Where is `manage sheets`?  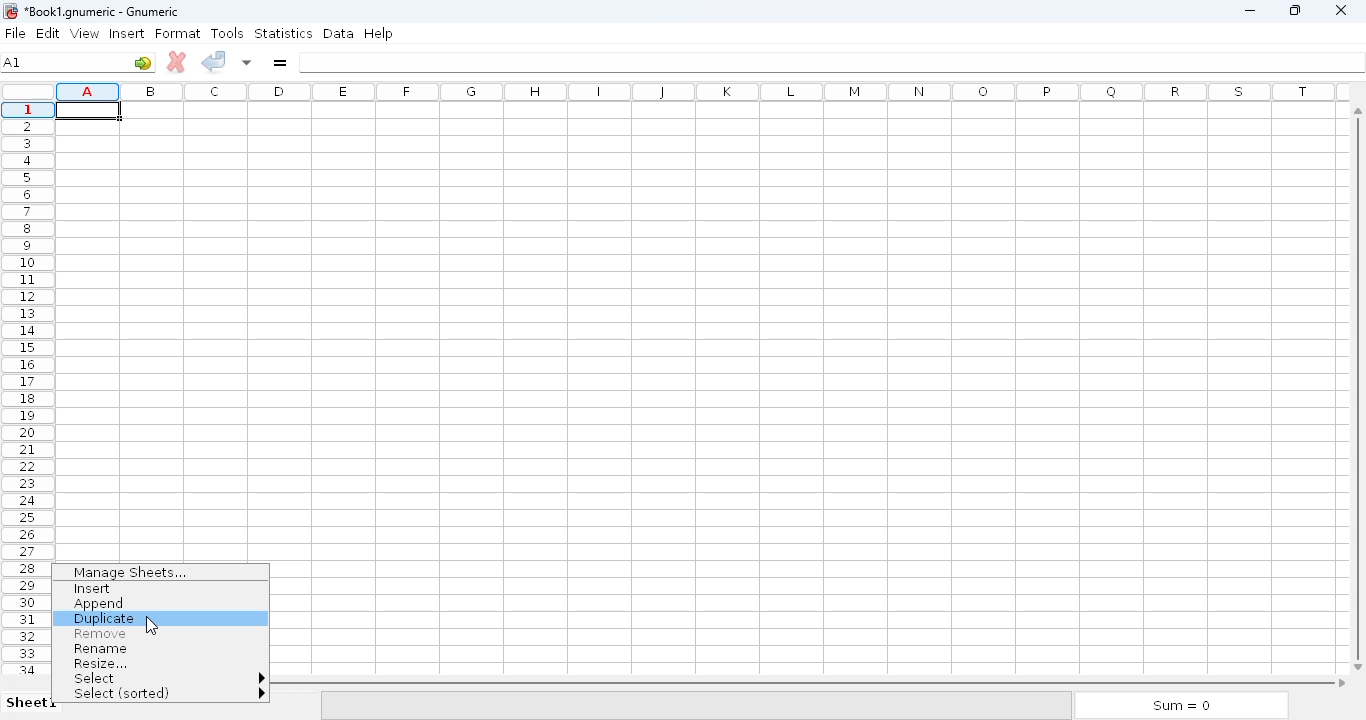
manage sheets is located at coordinates (133, 573).